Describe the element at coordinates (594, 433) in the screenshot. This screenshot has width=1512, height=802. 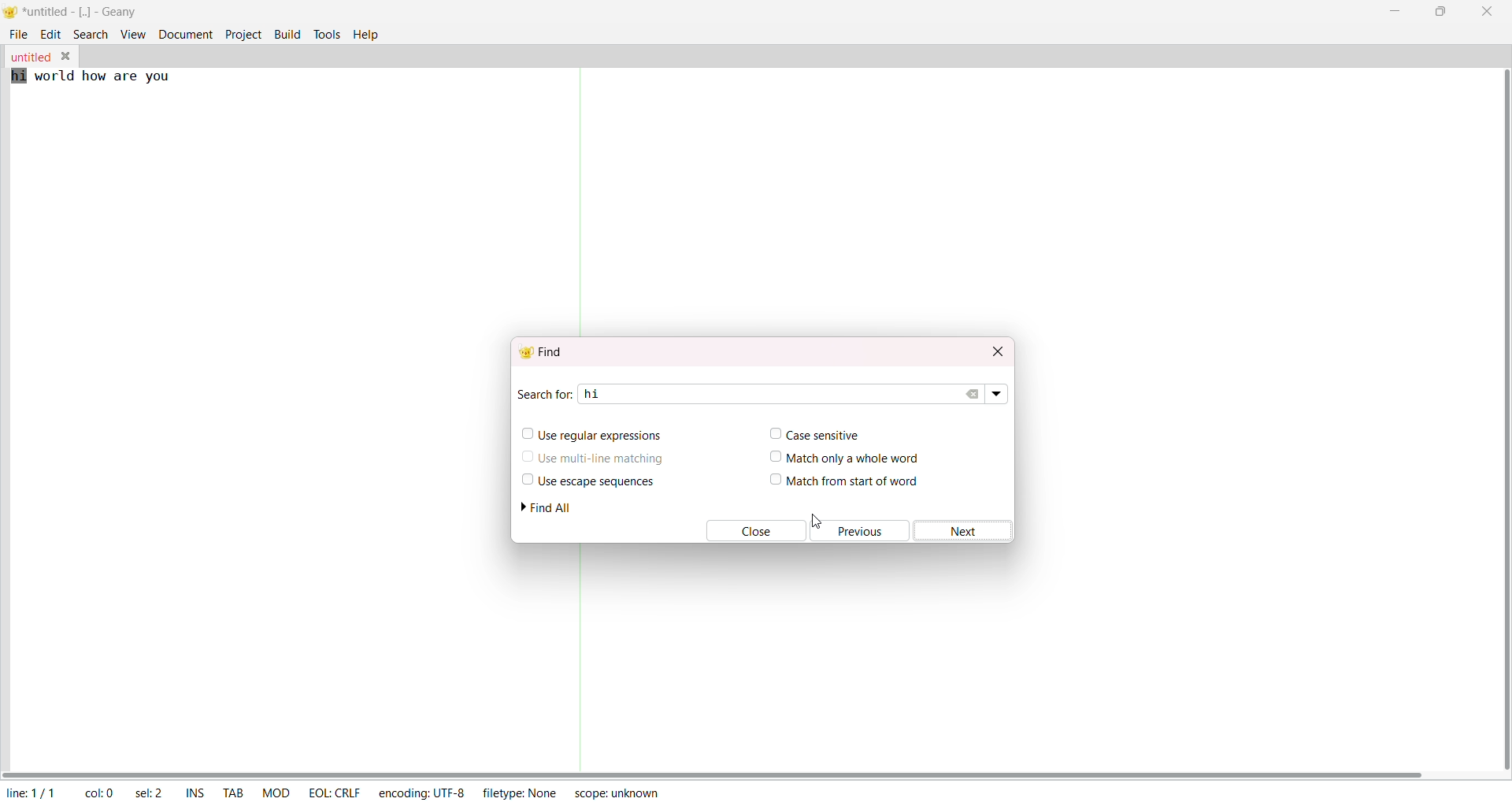
I see `use regular expression` at that location.